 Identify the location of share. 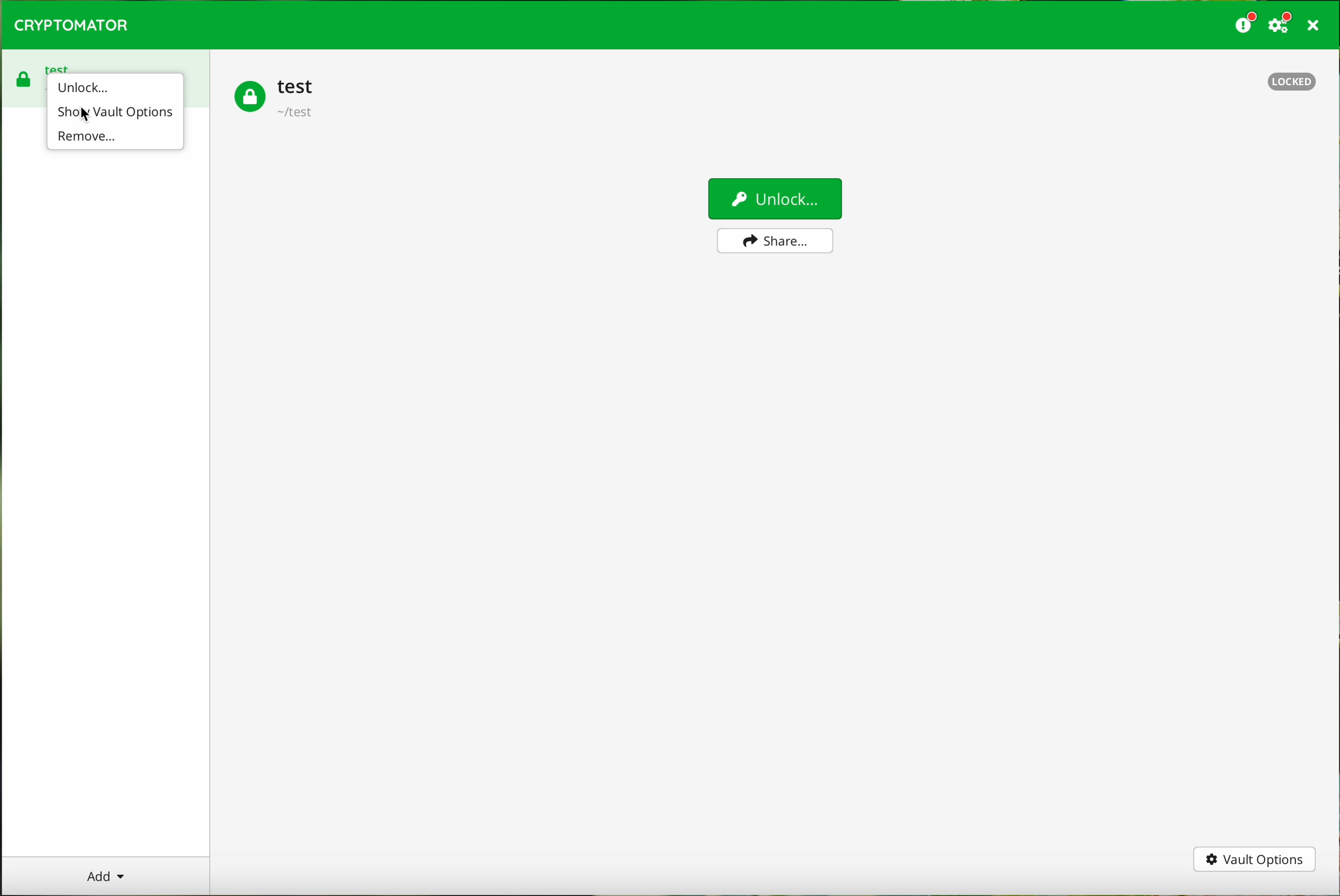
(775, 241).